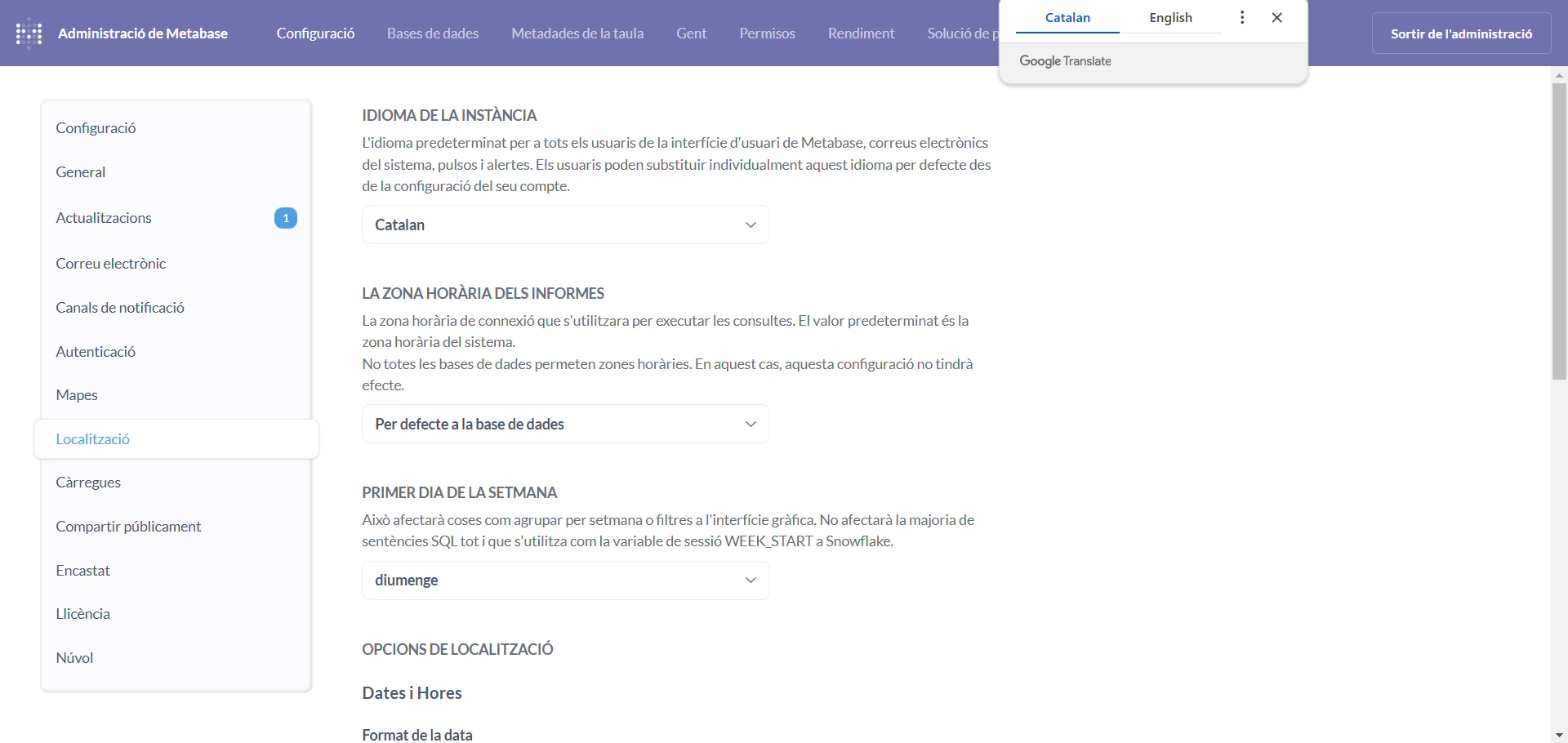 This screenshot has height=743, width=1568. What do you see at coordinates (1183, 17) in the screenshot?
I see `english` at bounding box center [1183, 17].